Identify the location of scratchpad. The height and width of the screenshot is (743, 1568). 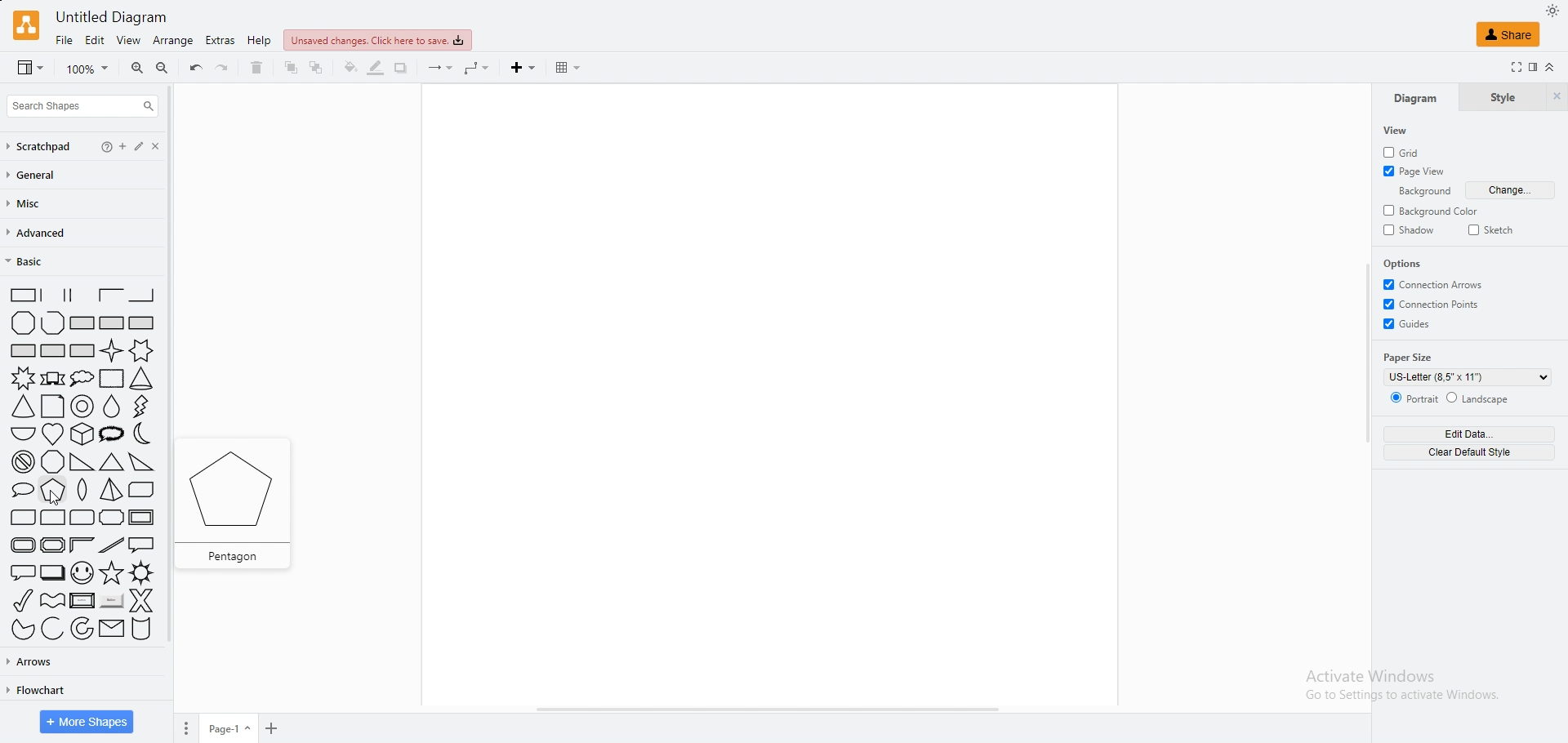
(41, 147).